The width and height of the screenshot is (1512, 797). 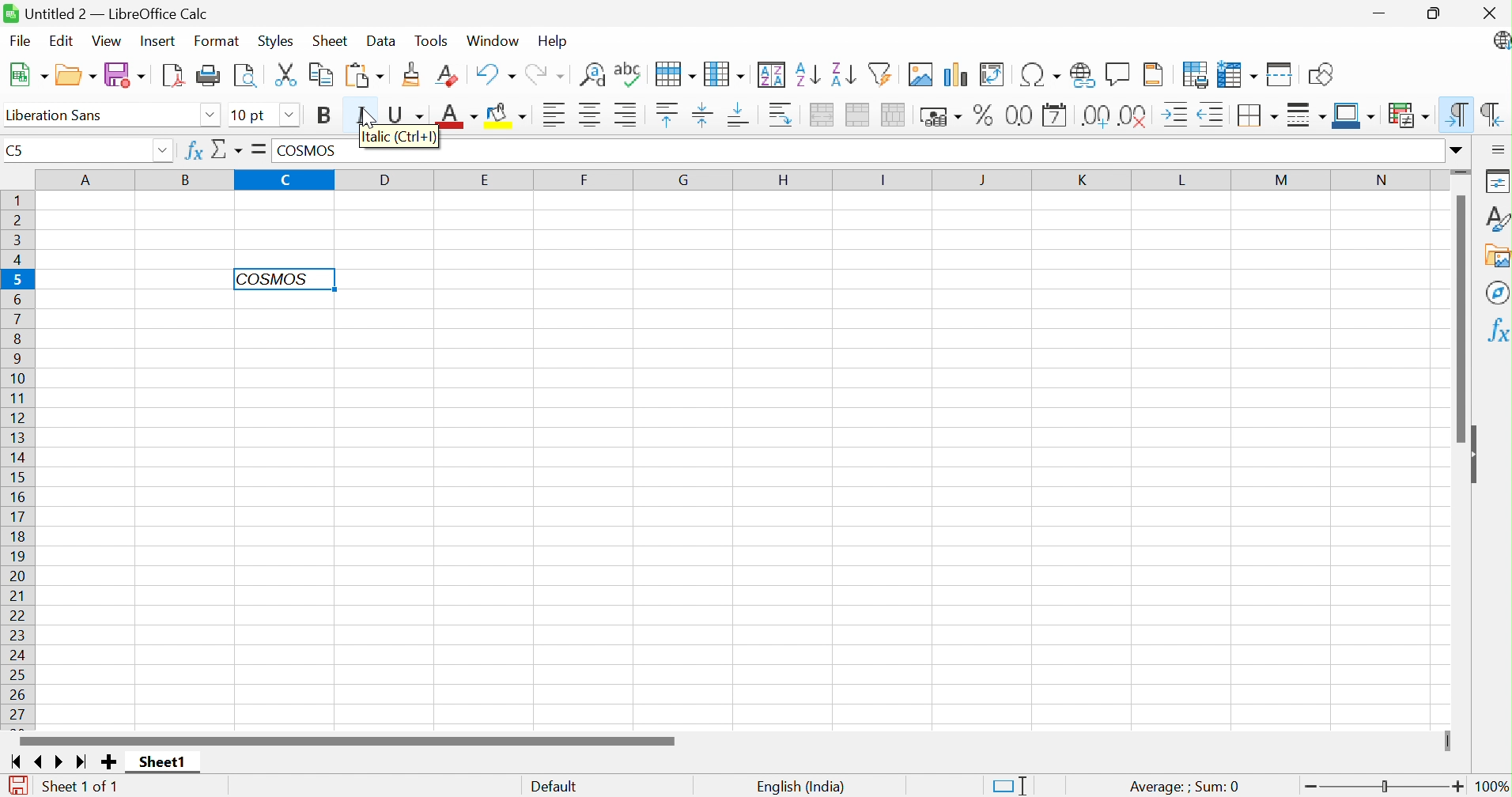 I want to click on Font name, so click(x=52, y=115).